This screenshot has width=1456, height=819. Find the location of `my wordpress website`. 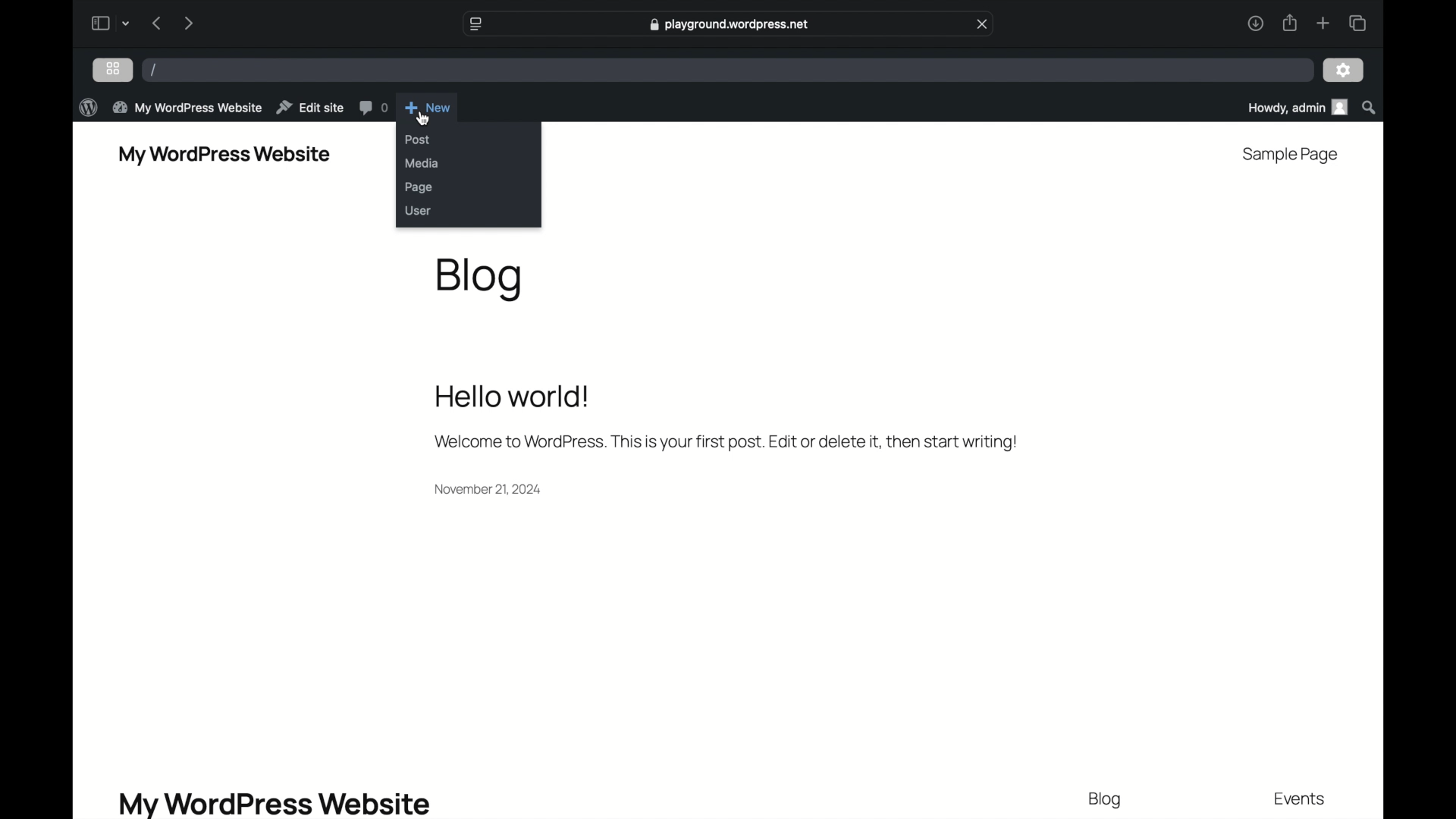

my wordpress website is located at coordinates (187, 108).